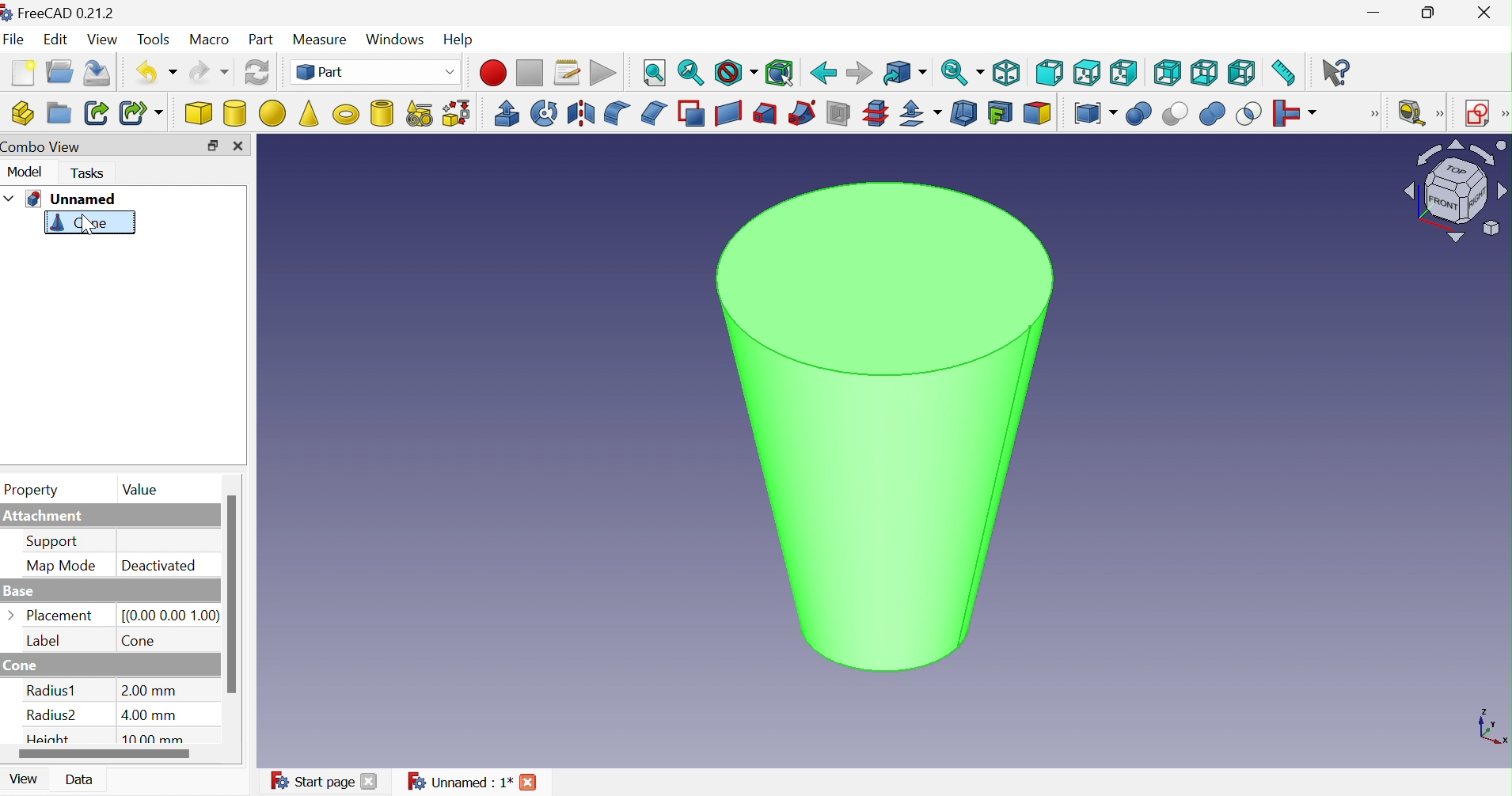  Describe the element at coordinates (158, 565) in the screenshot. I see `Deactivated` at that location.